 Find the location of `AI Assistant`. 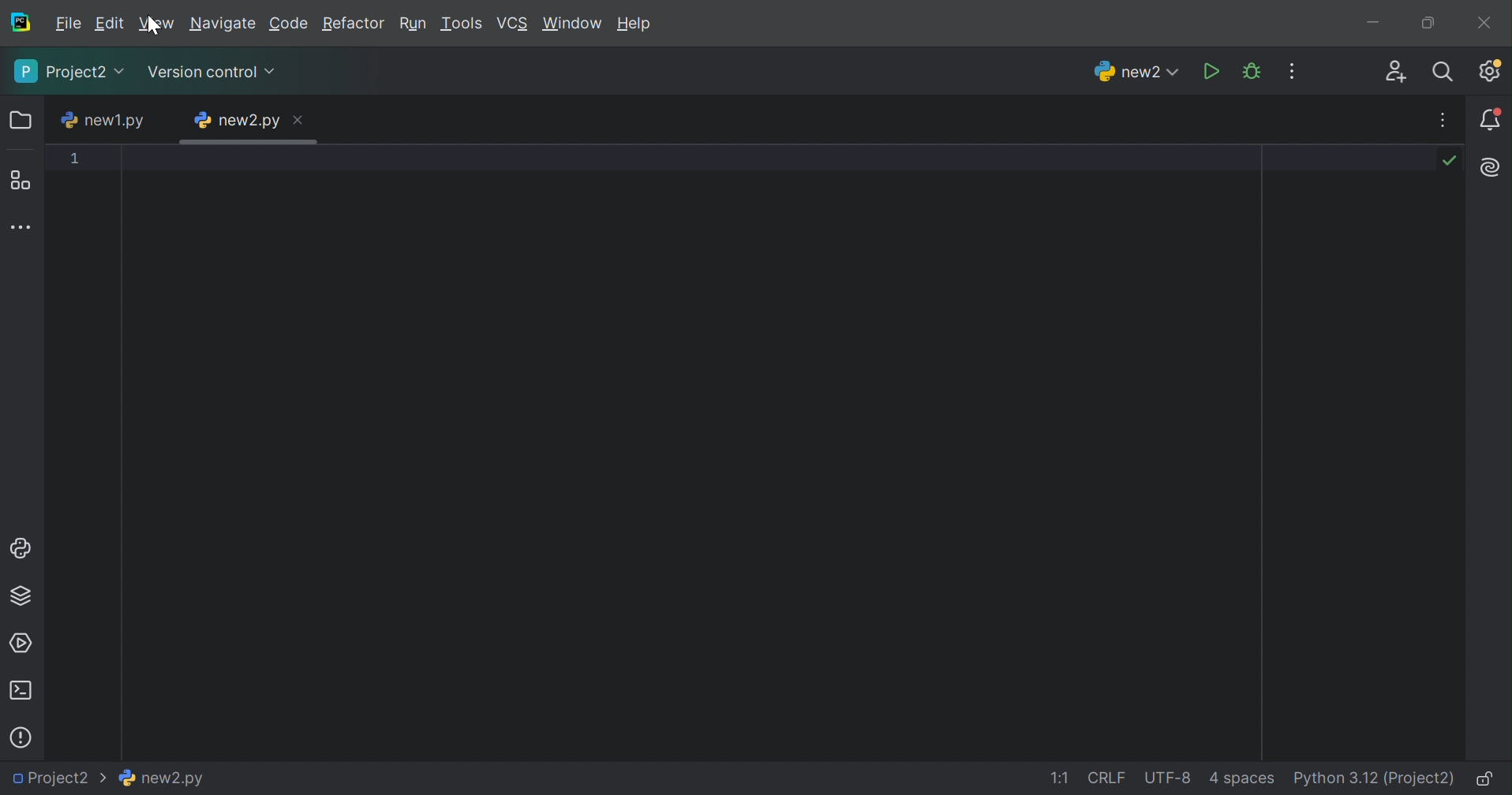

AI Assistant is located at coordinates (1491, 169).